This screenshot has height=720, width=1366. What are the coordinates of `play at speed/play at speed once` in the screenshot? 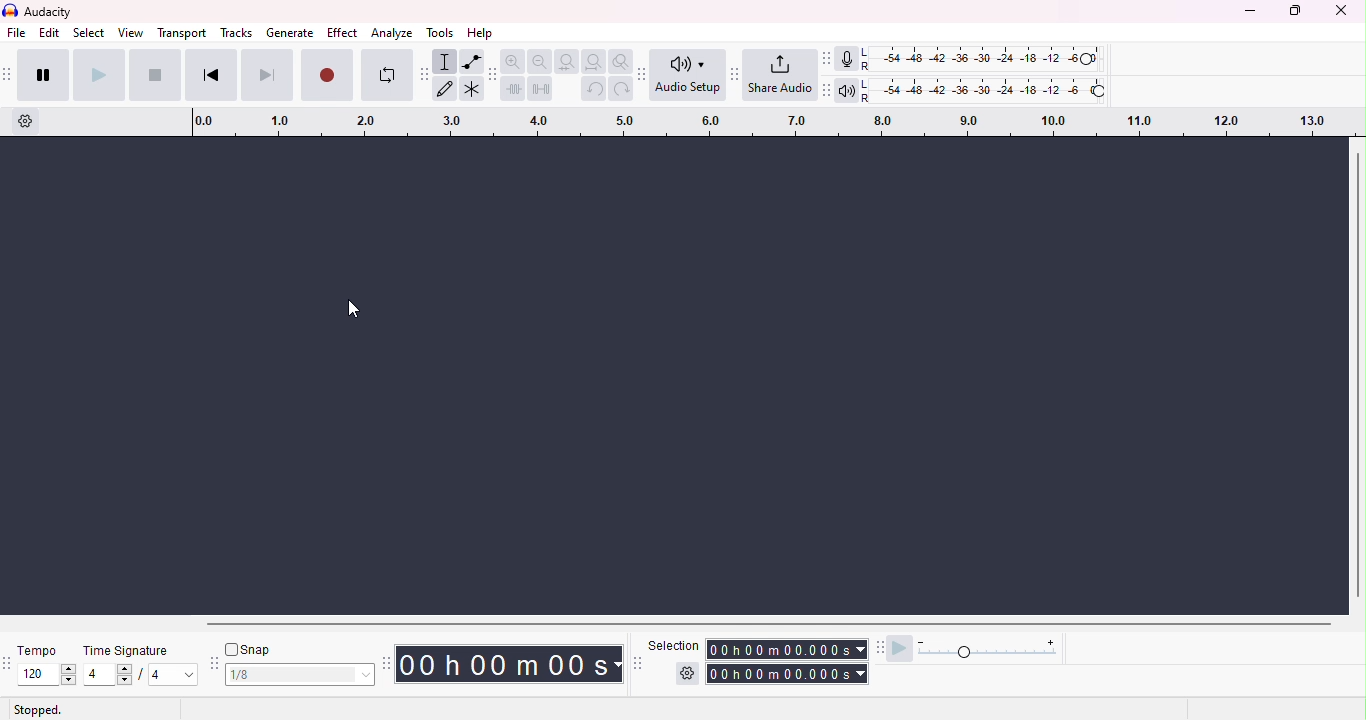 It's located at (904, 648).